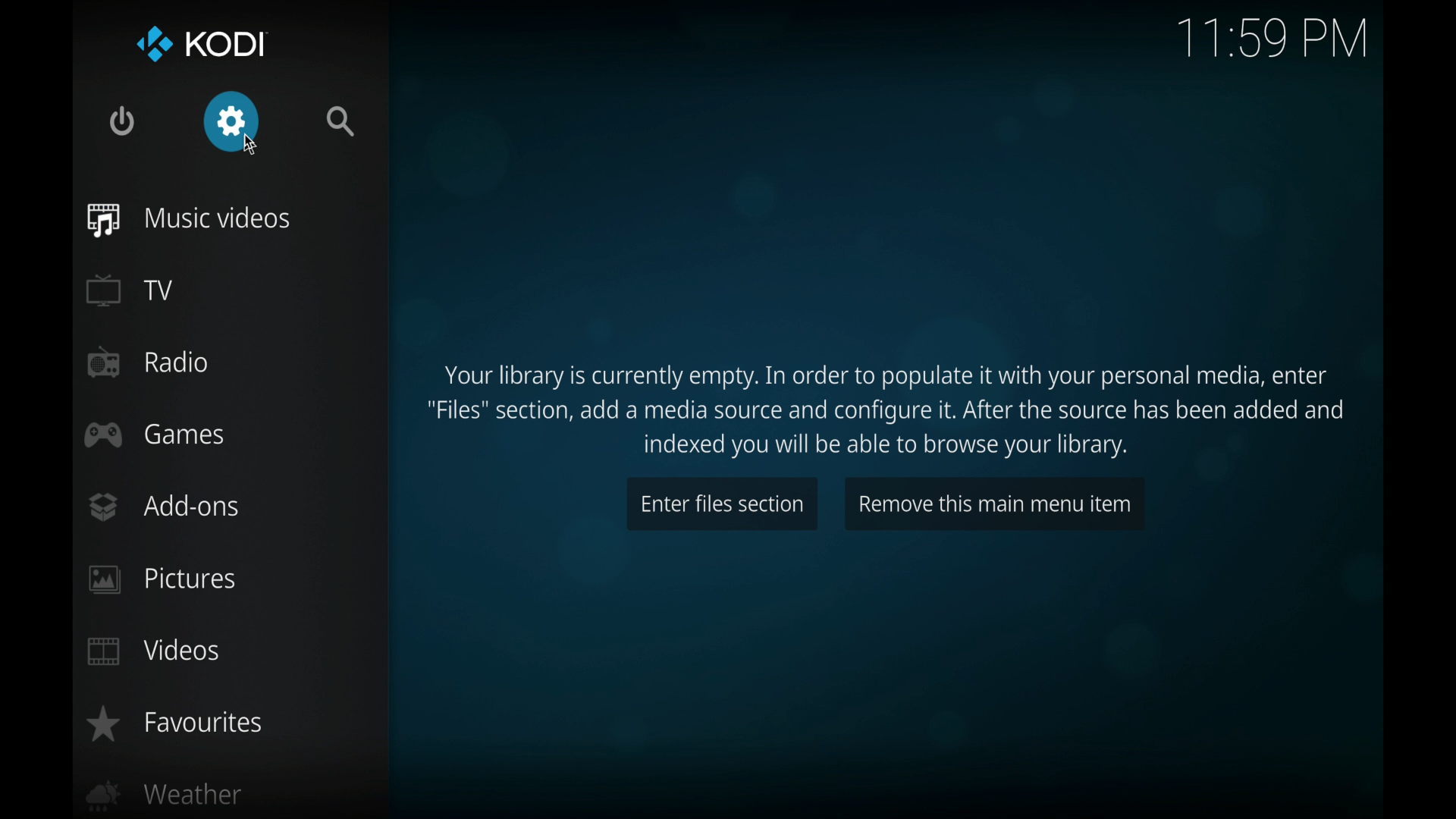 Image resolution: width=1456 pixels, height=819 pixels. I want to click on games, so click(155, 435).